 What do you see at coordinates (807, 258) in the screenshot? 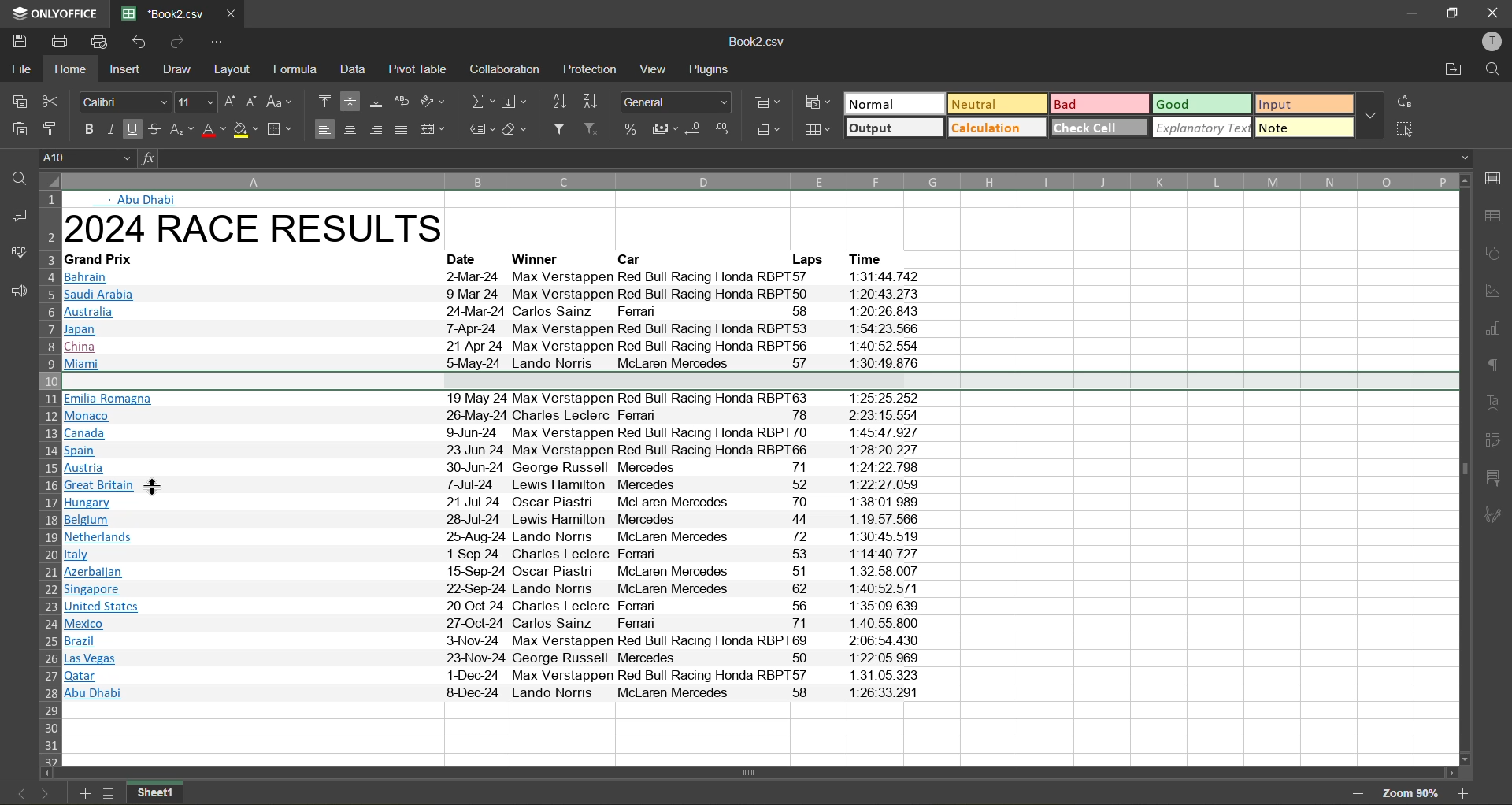
I see `Laps` at bounding box center [807, 258].